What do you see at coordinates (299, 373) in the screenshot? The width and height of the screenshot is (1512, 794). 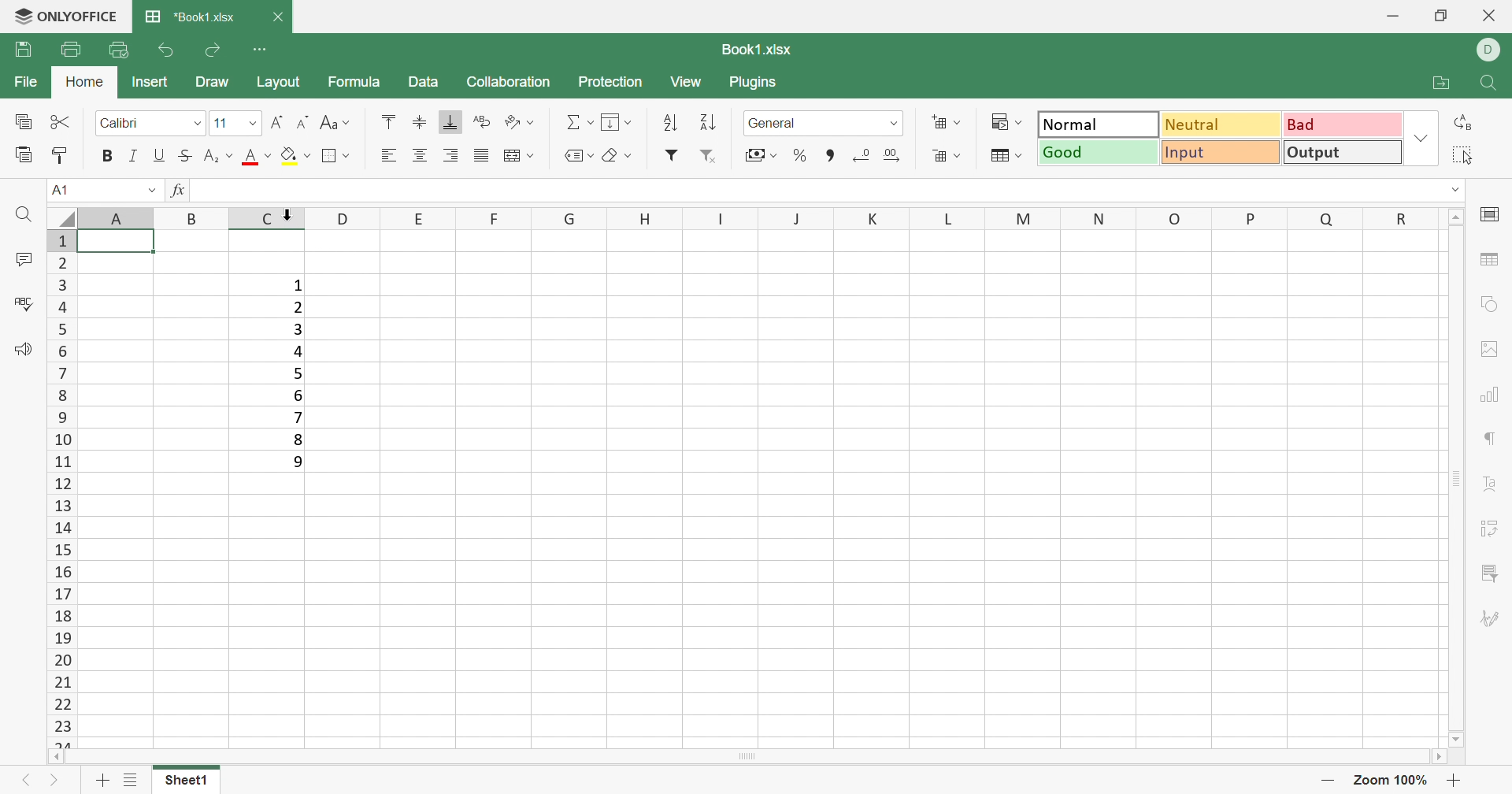 I see `5` at bounding box center [299, 373].